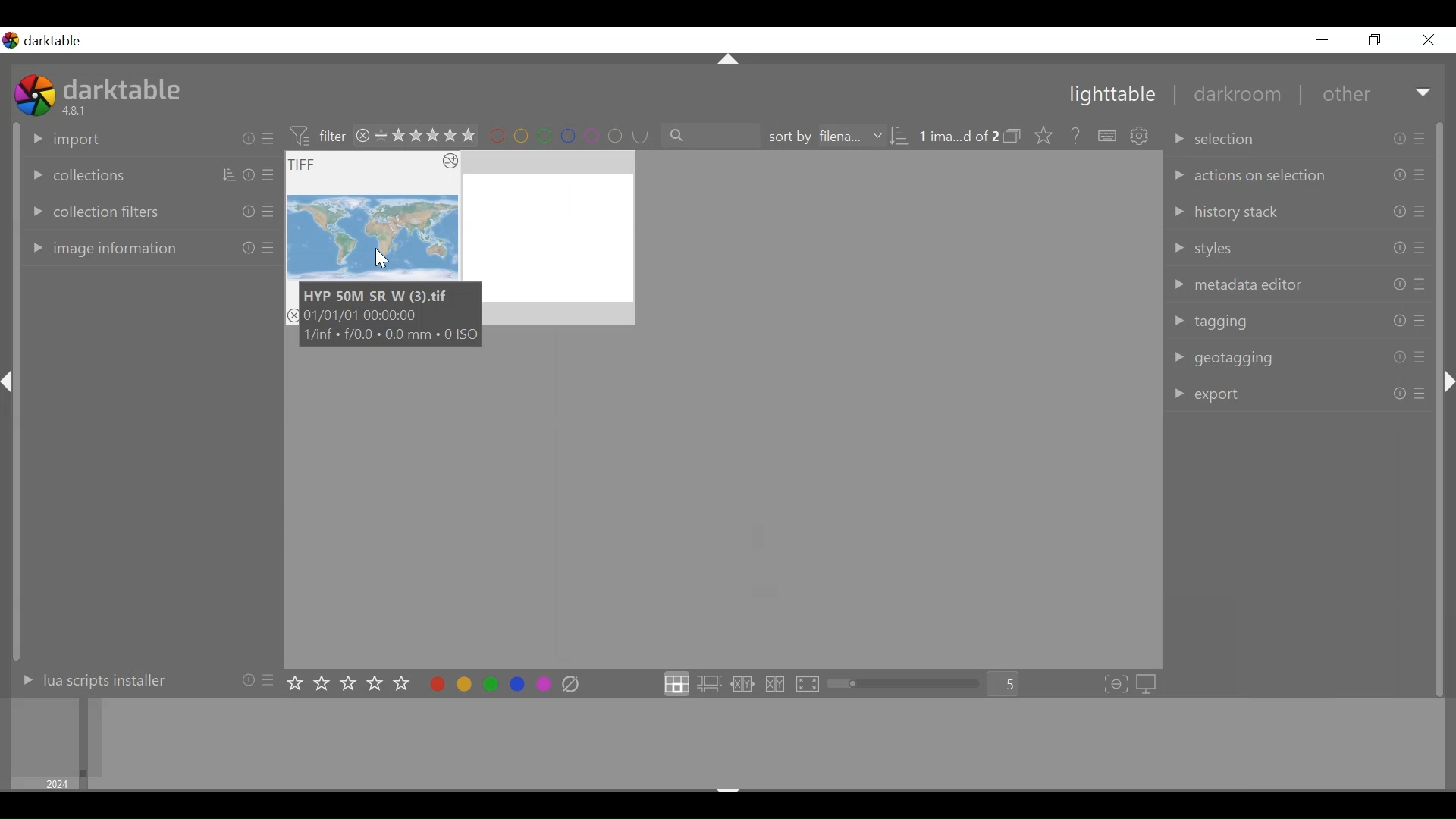 The image size is (1456, 819). Describe the element at coordinates (959, 135) in the screenshot. I see `Image 1 out of 2 selected` at that location.